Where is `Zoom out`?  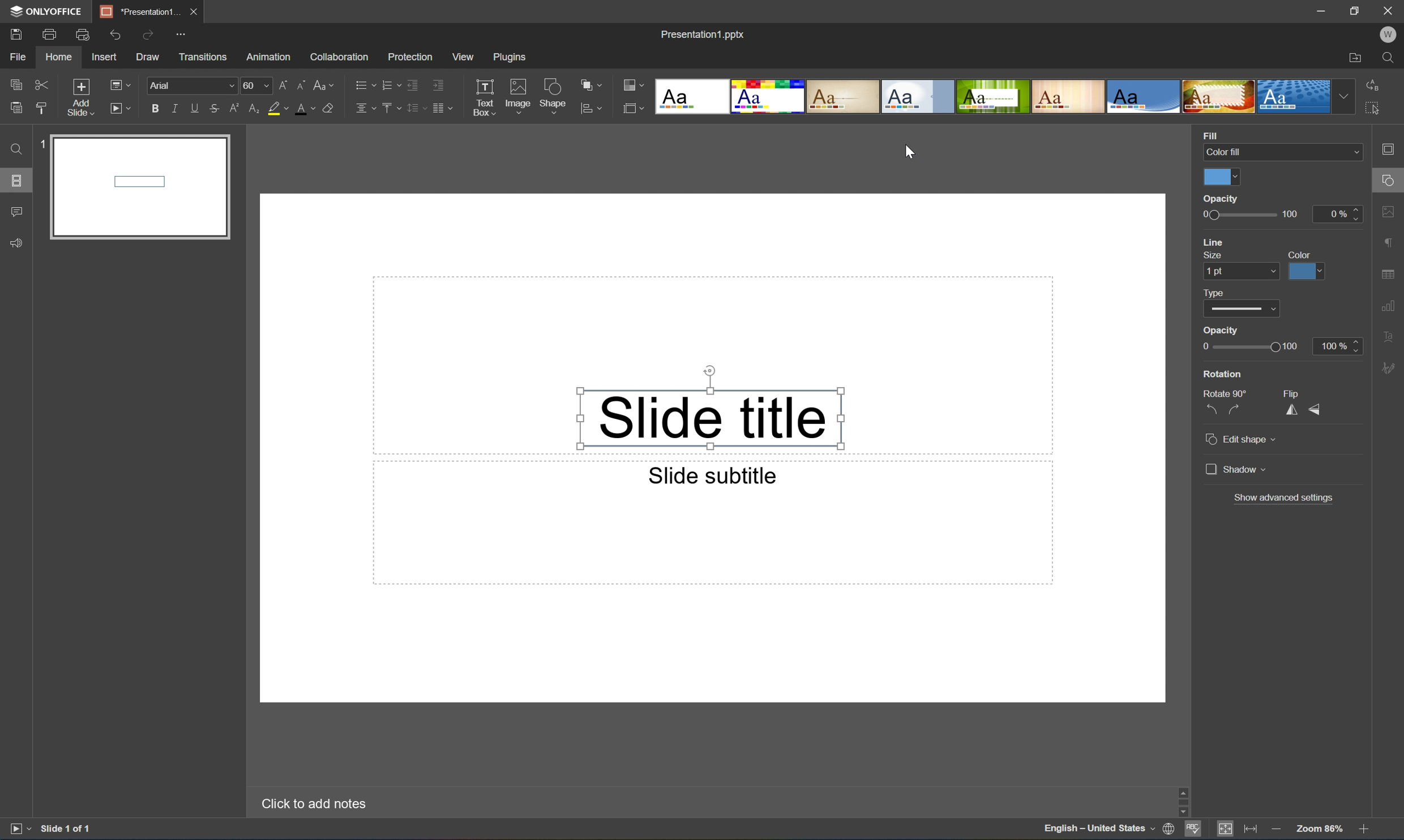
Zoom out is located at coordinates (1275, 829).